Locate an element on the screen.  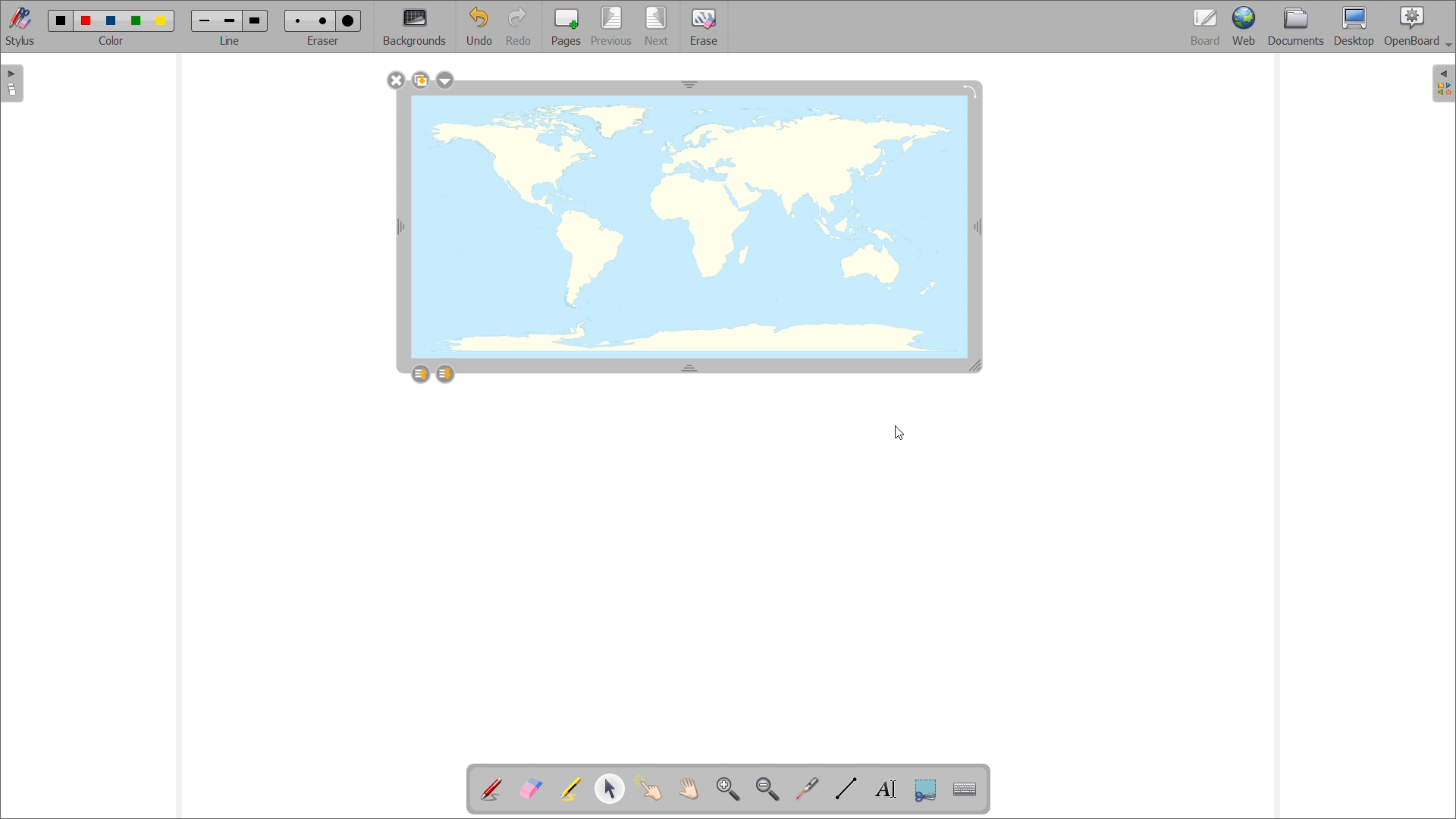
toggle stylus is located at coordinates (20, 27).